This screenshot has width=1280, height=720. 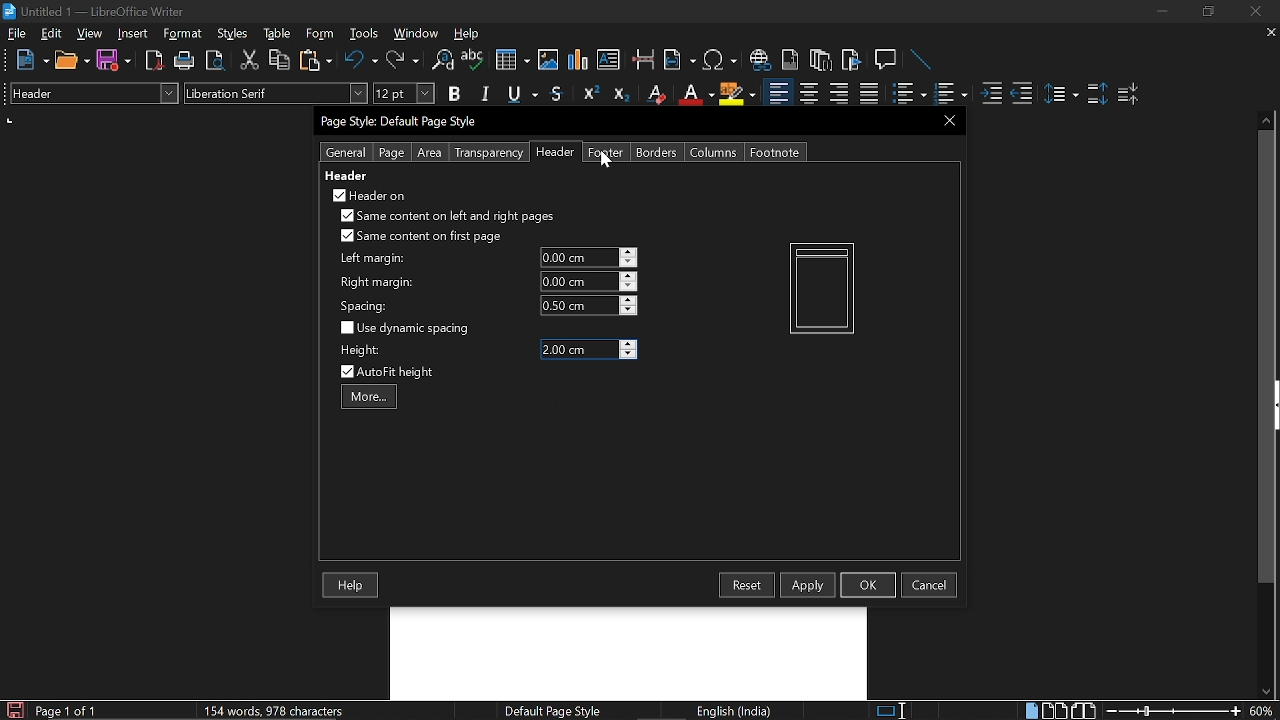 What do you see at coordinates (761, 60) in the screenshot?
I see `Insert hyperlink` at bounding box center [761, 60].